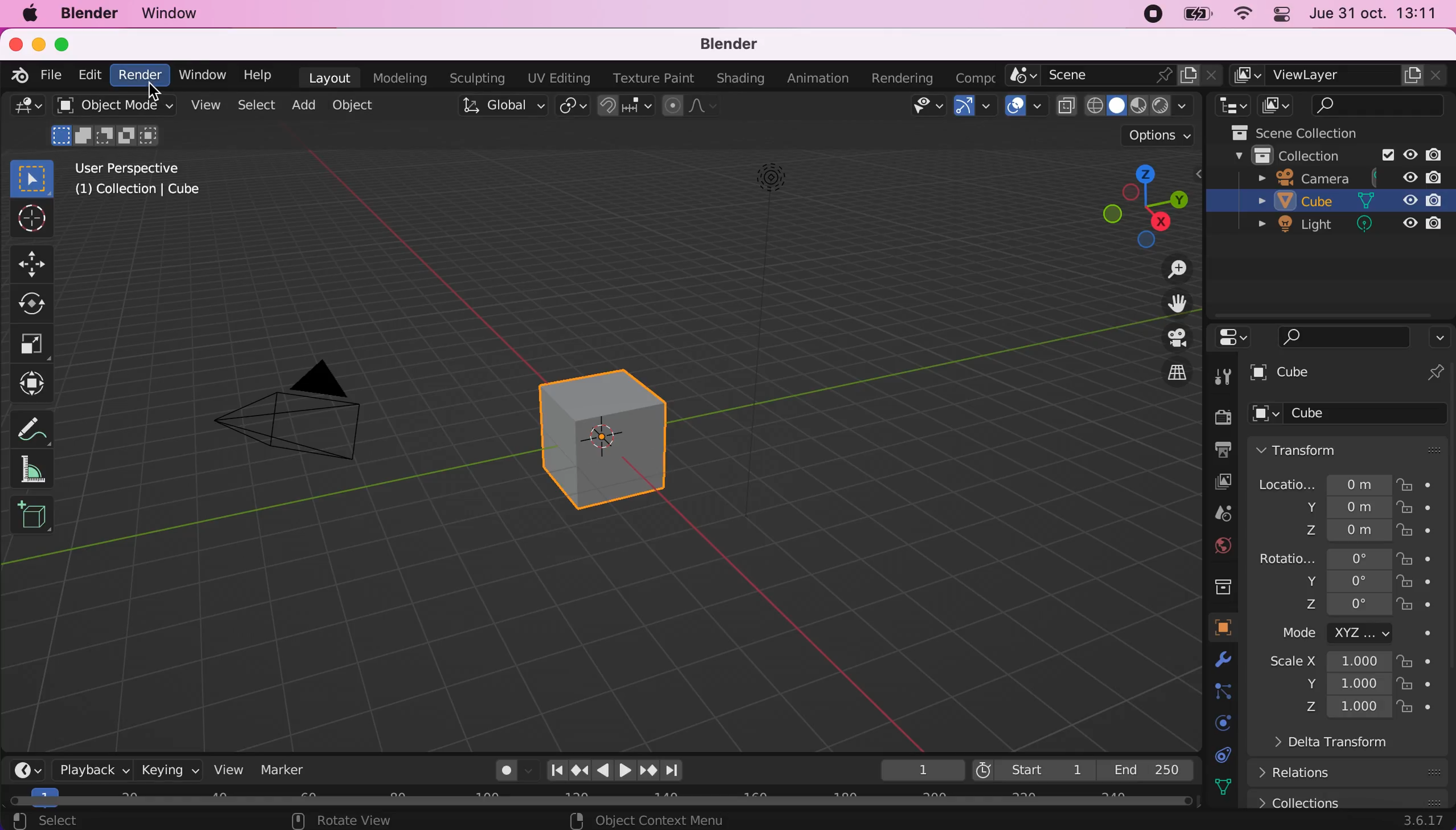 The image size is (1456, 830). Describe the element at coordinates (64, 44) in the screenshot. I see `maximize` at that location.